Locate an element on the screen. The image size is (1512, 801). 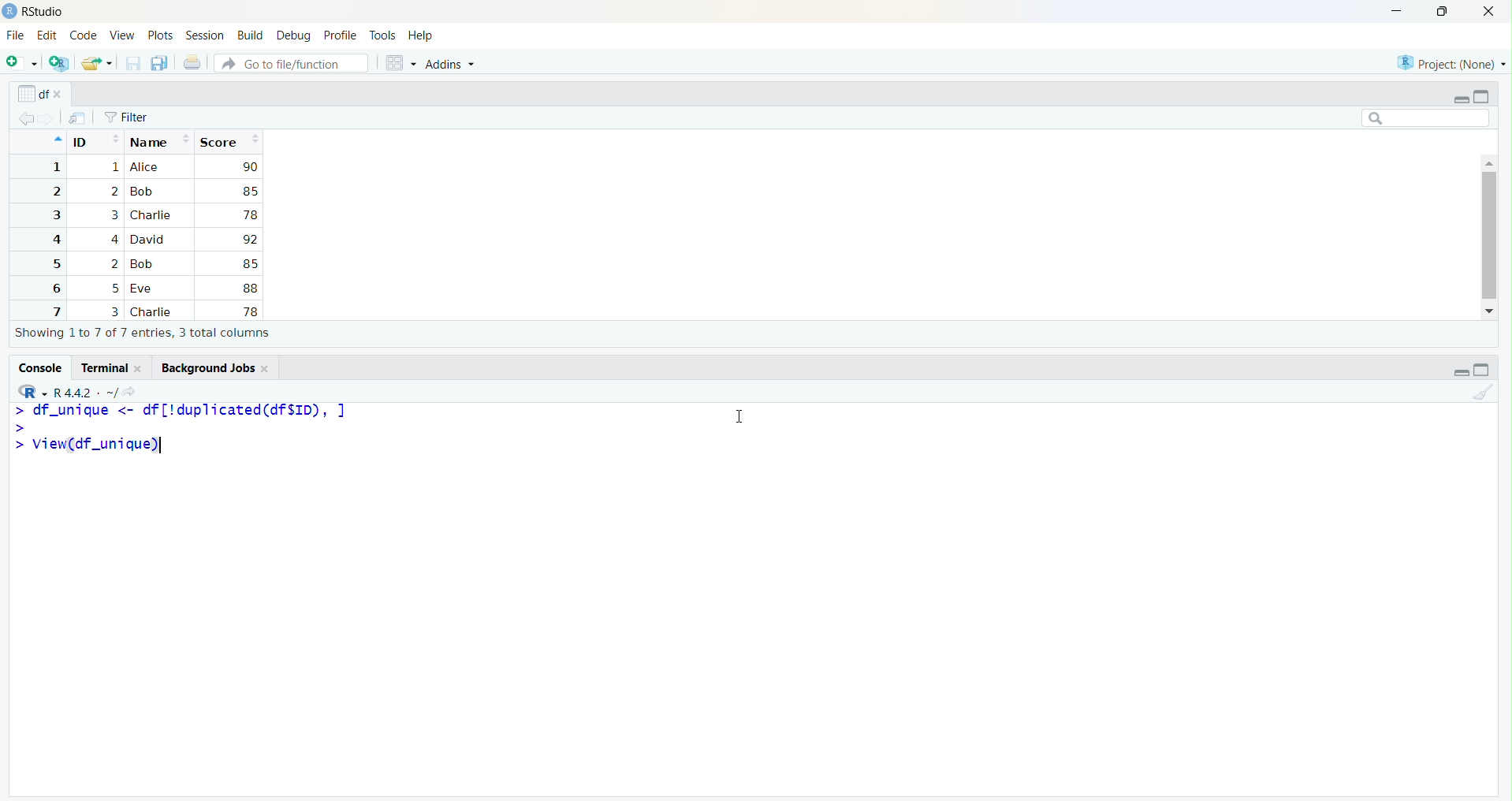
console is located at coordinates (39, 367).